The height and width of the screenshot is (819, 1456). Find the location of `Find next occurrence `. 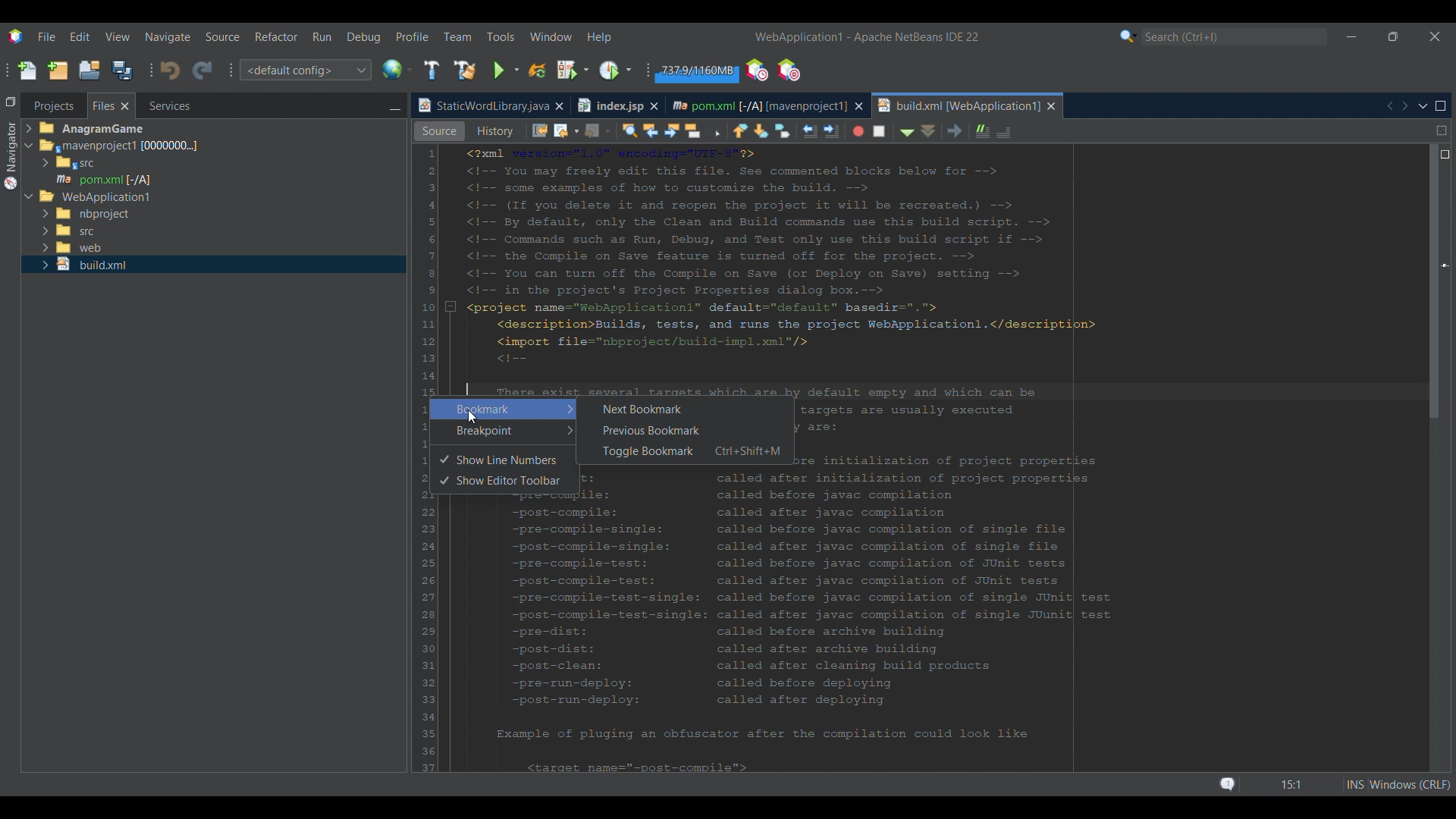

Find next occurrence  is located at coordinates (808, 131).